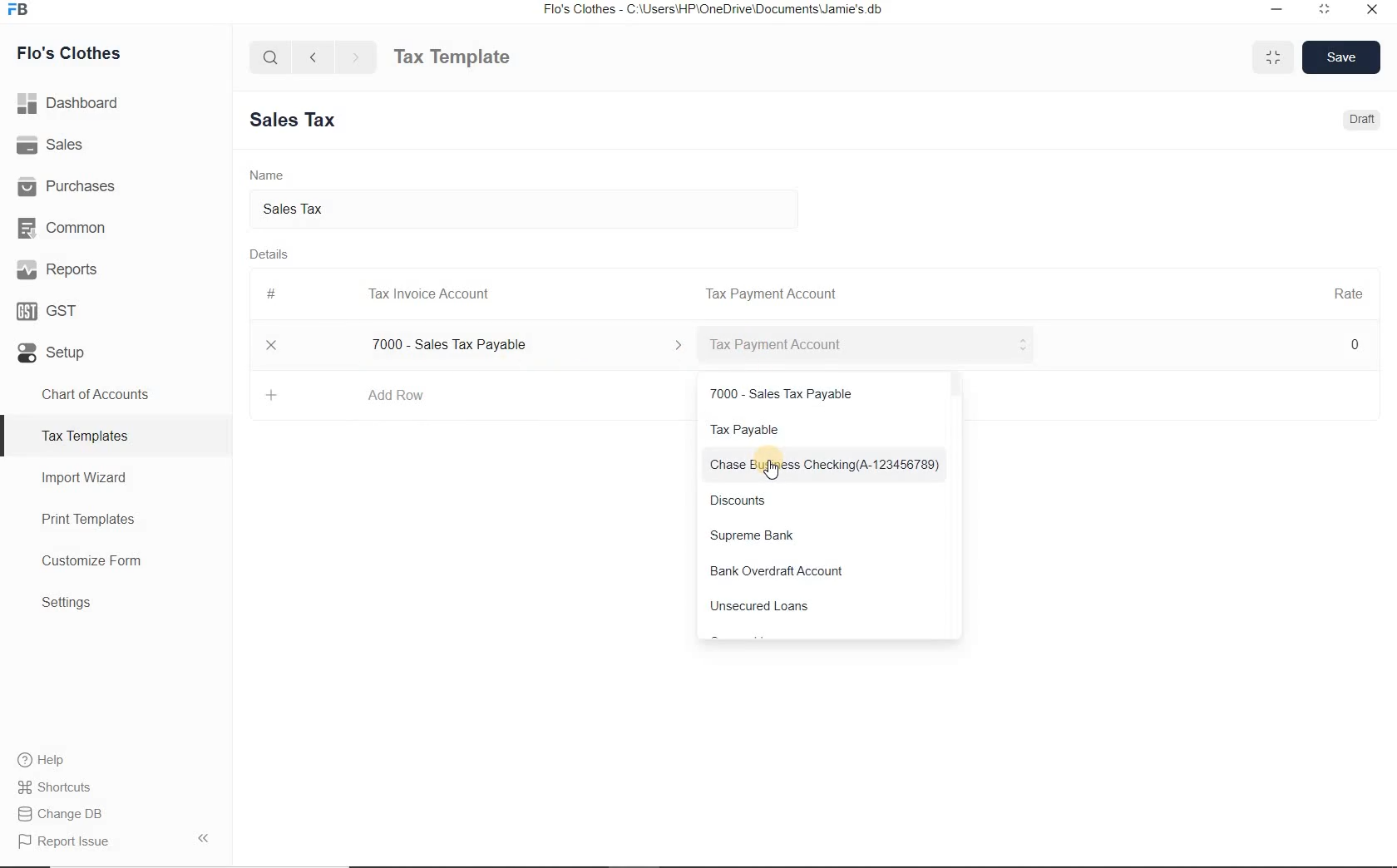 The width and height of the screenshot is (1397, 868). What do you see at coordinates (357, 57) in the screenshot?
I see `Forward` at bounding box center [357, 57].